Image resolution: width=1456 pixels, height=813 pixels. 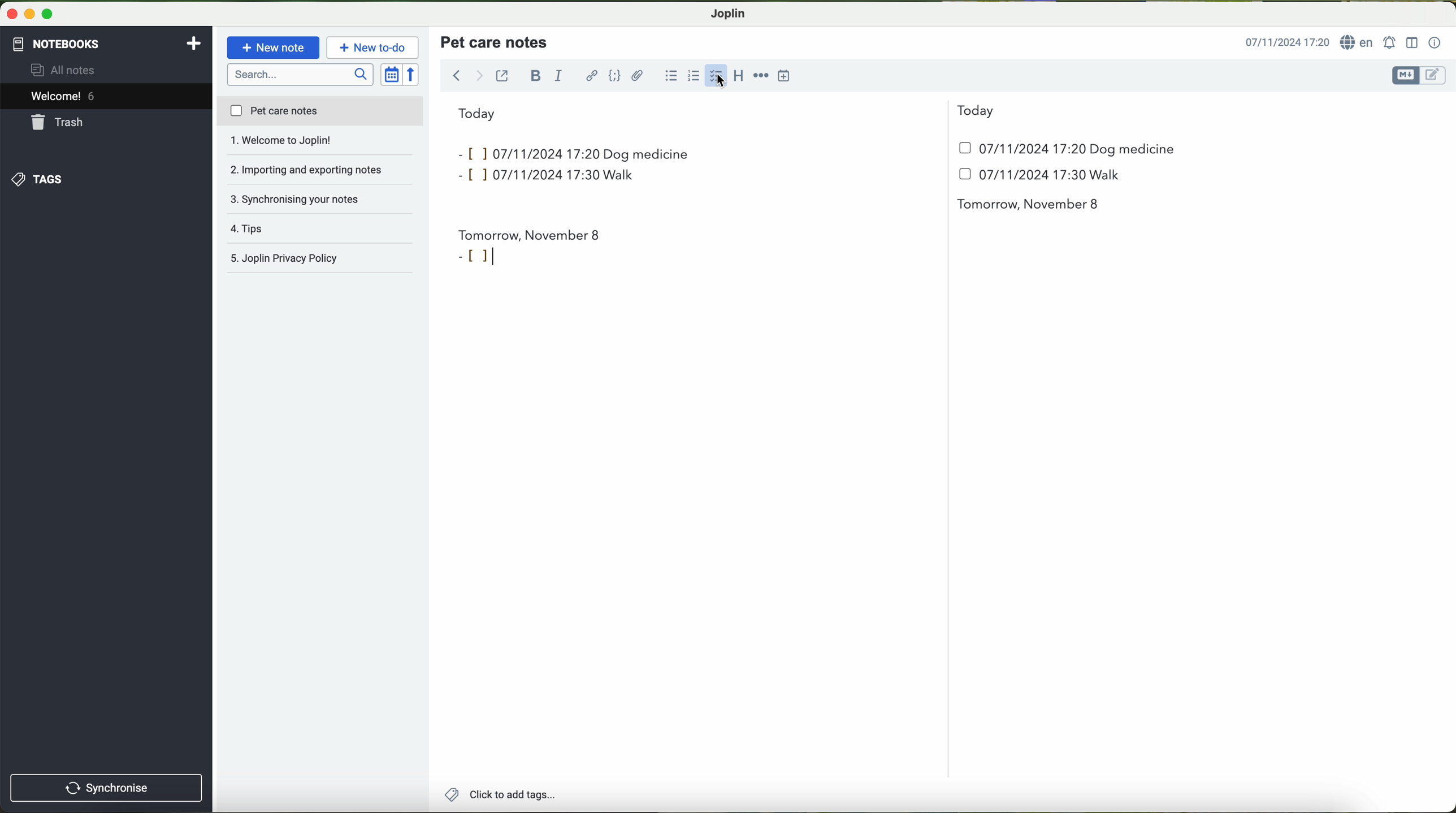 I want to click on bulleted list, so click(x=669, y=76).